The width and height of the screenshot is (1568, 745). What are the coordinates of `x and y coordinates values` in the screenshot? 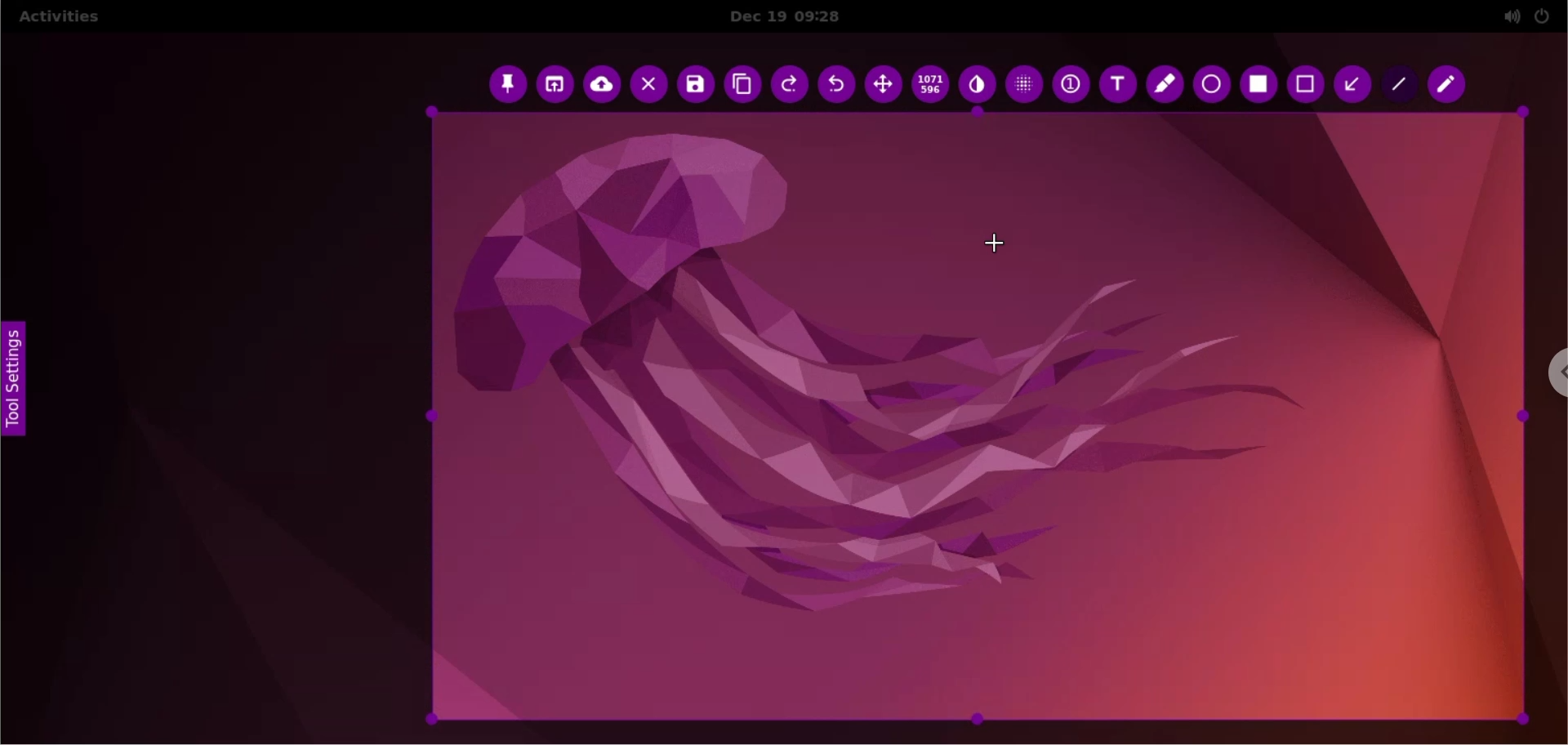 It's located at (932, 85).